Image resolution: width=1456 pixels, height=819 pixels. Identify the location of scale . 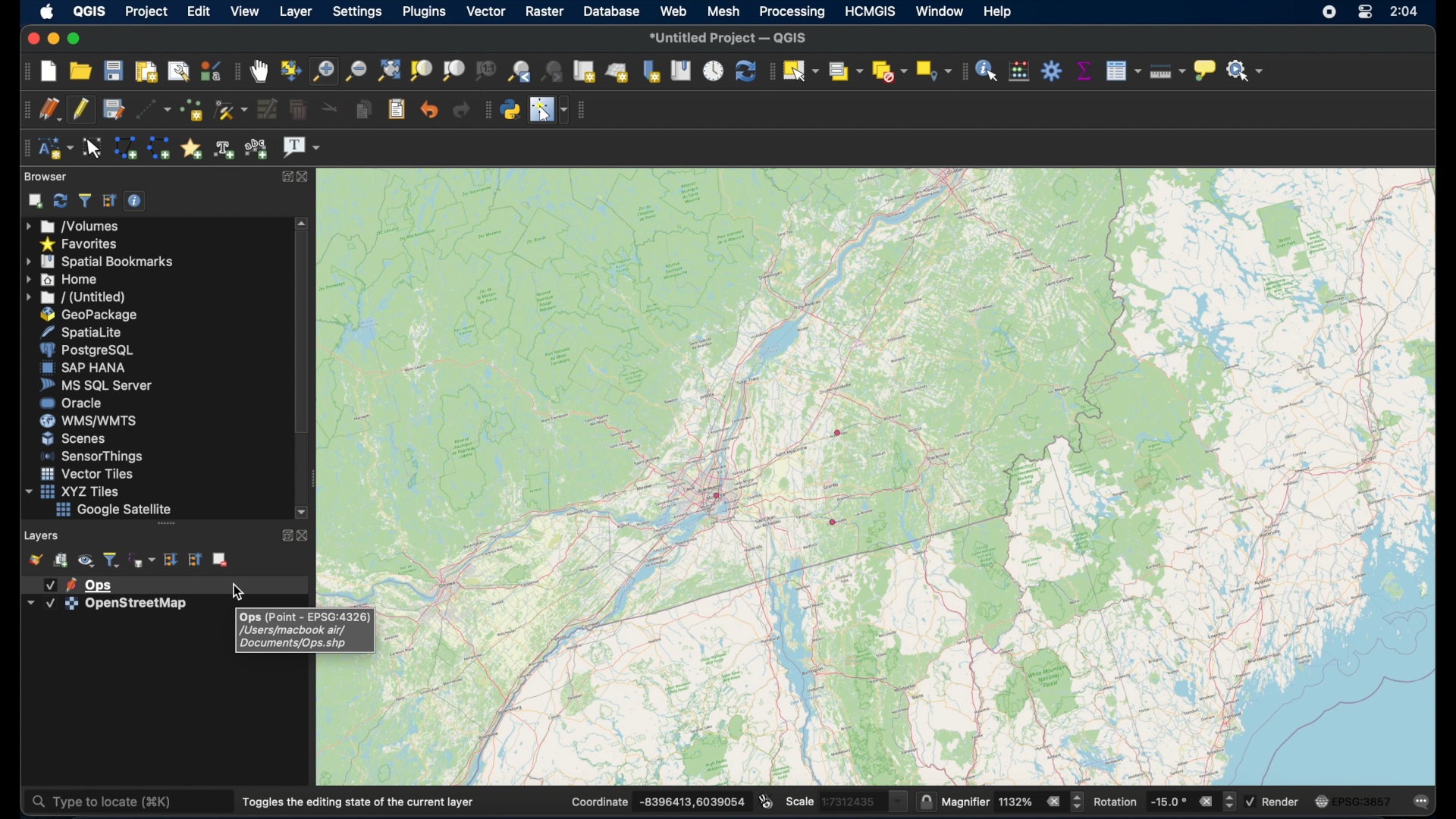
(843, 802).